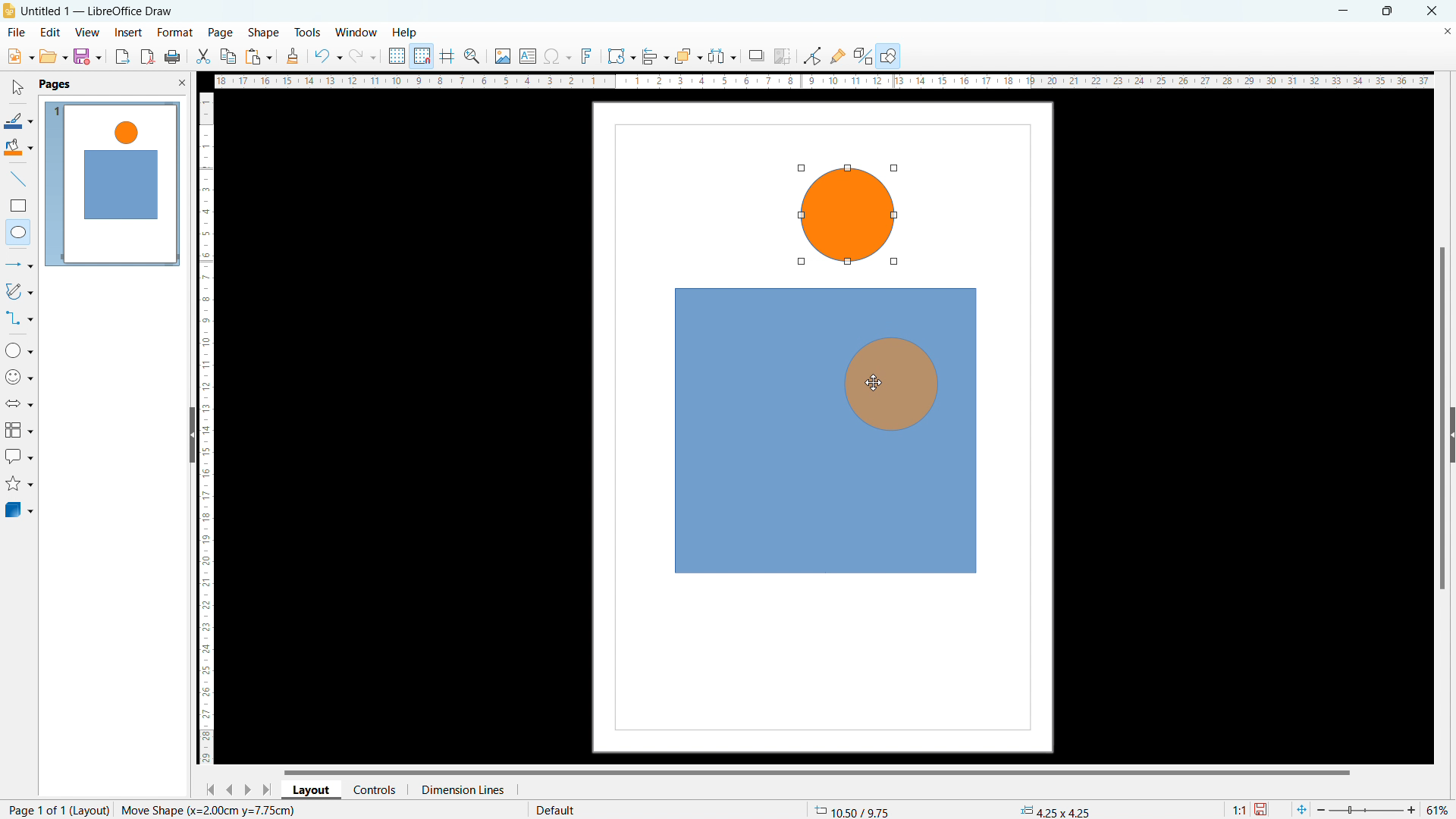  Describe the element at coordinates (1386, 11) in the screenshot. I see `maximize` at that location.